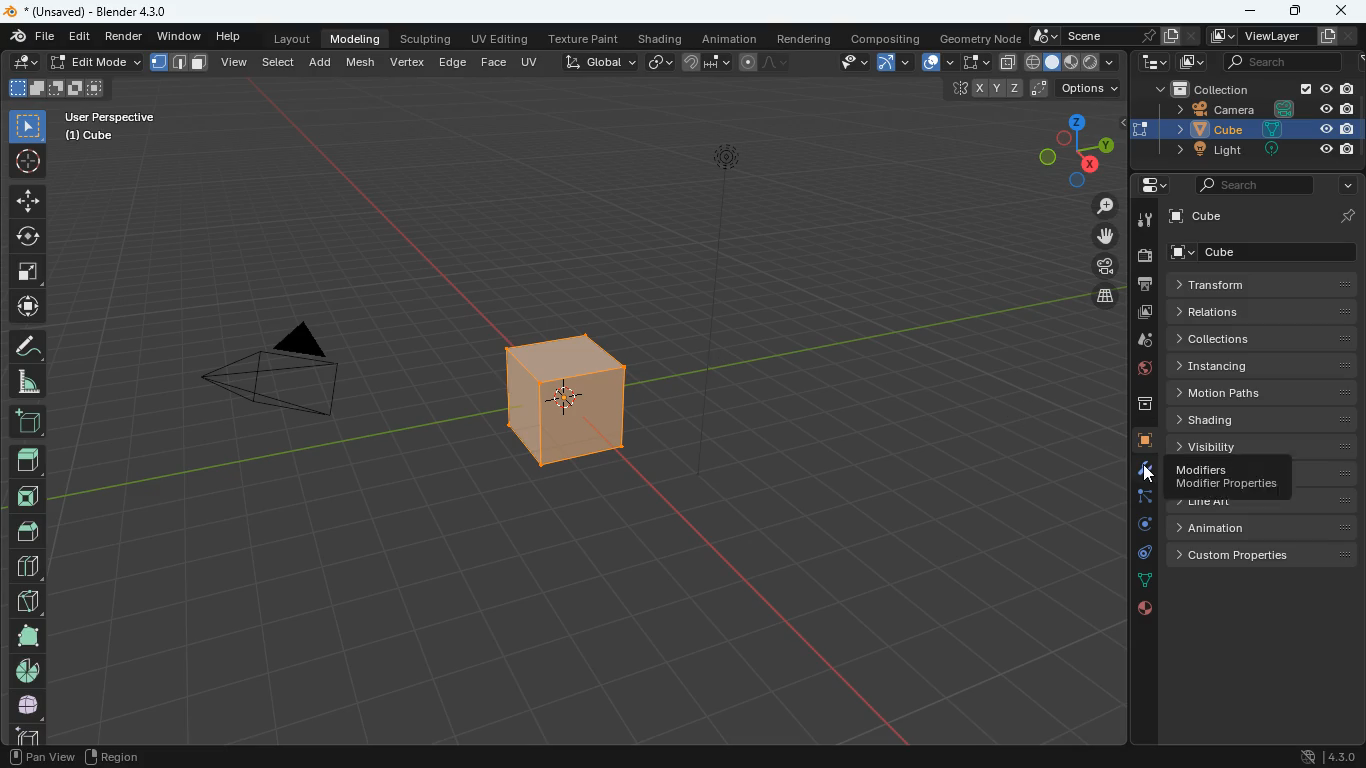 The width and height of the screenshot is (1366, 768). I want to click on transform, so click(1269, 285).